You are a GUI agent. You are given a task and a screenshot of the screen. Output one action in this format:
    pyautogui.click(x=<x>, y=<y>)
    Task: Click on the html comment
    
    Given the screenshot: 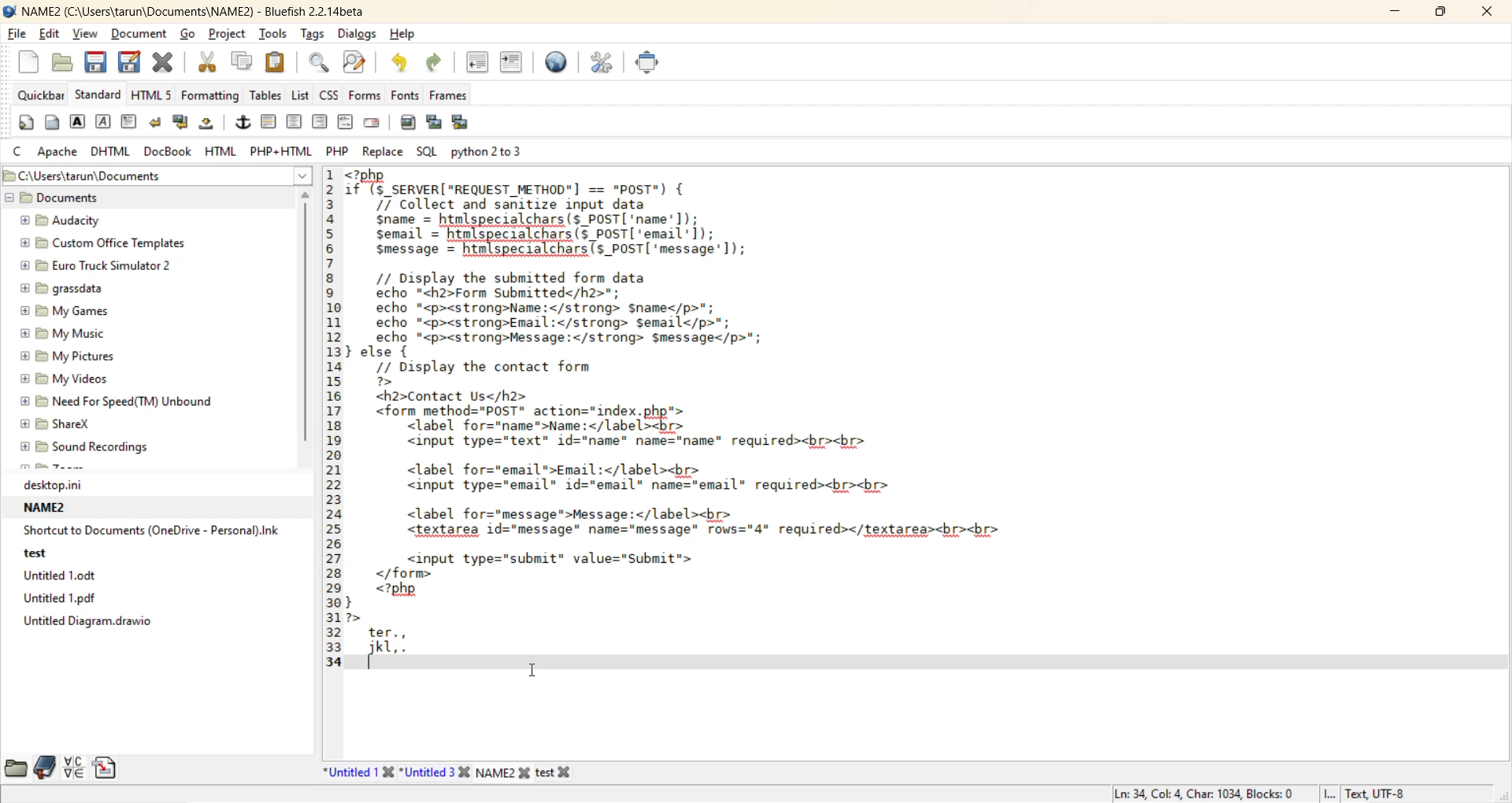 What is the action you would take?
    pyautogui.click(x=345, y=121)
    